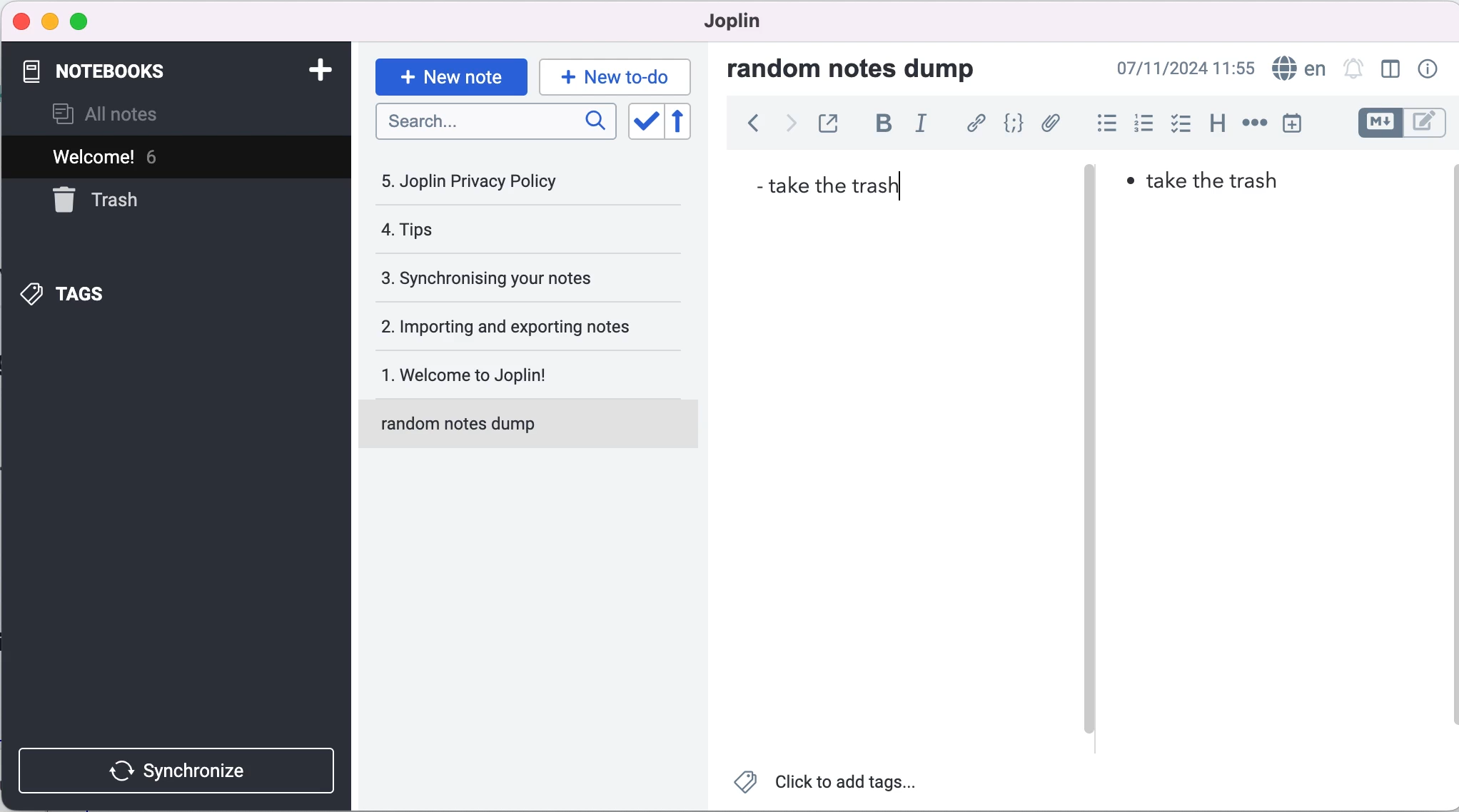 The image size is (1459, 812). I want to click on toggle sort order field, so click(644, 121).